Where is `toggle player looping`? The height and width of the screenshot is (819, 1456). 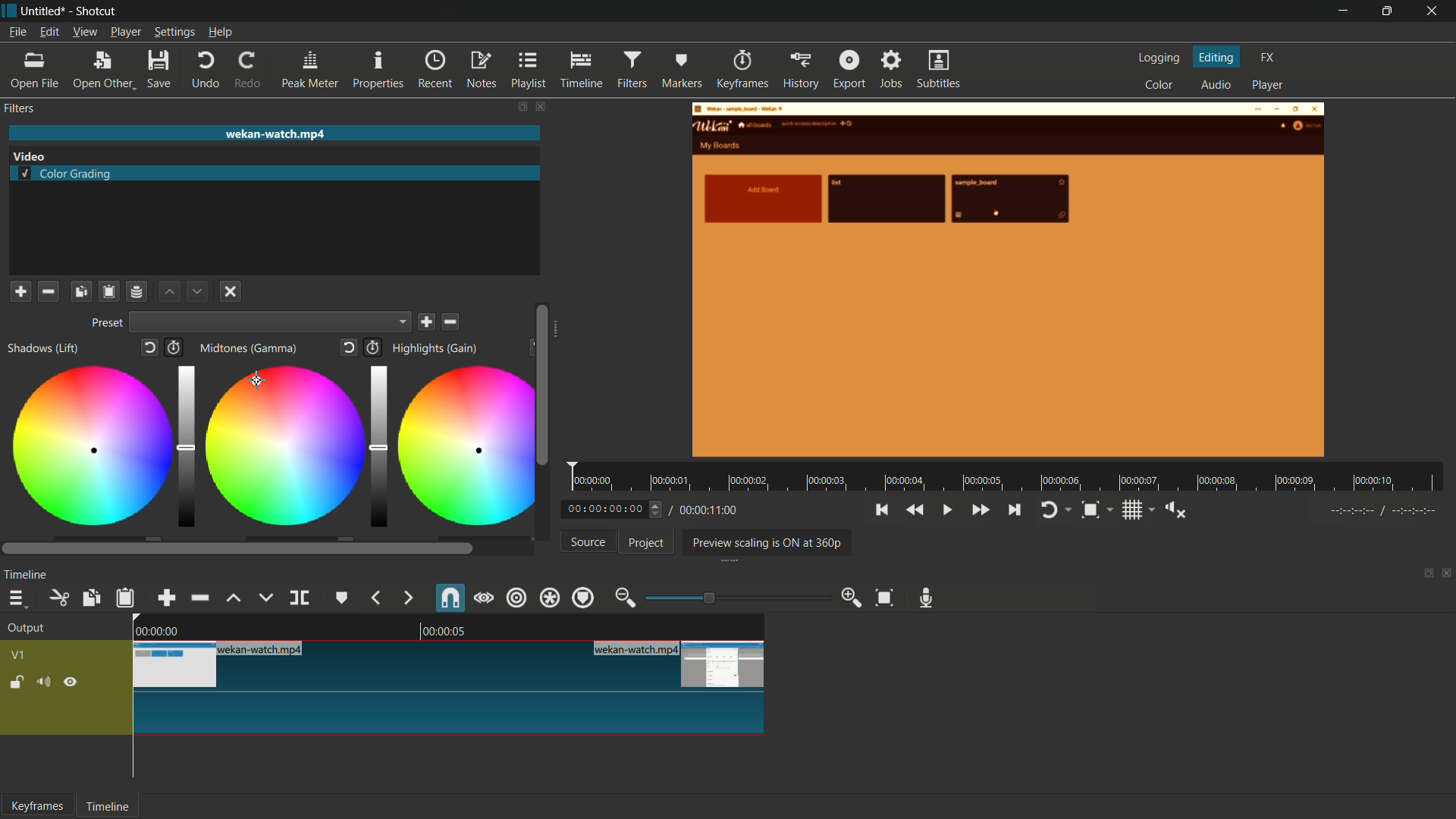
toggle player looping is located at coordinates (1054, 510).